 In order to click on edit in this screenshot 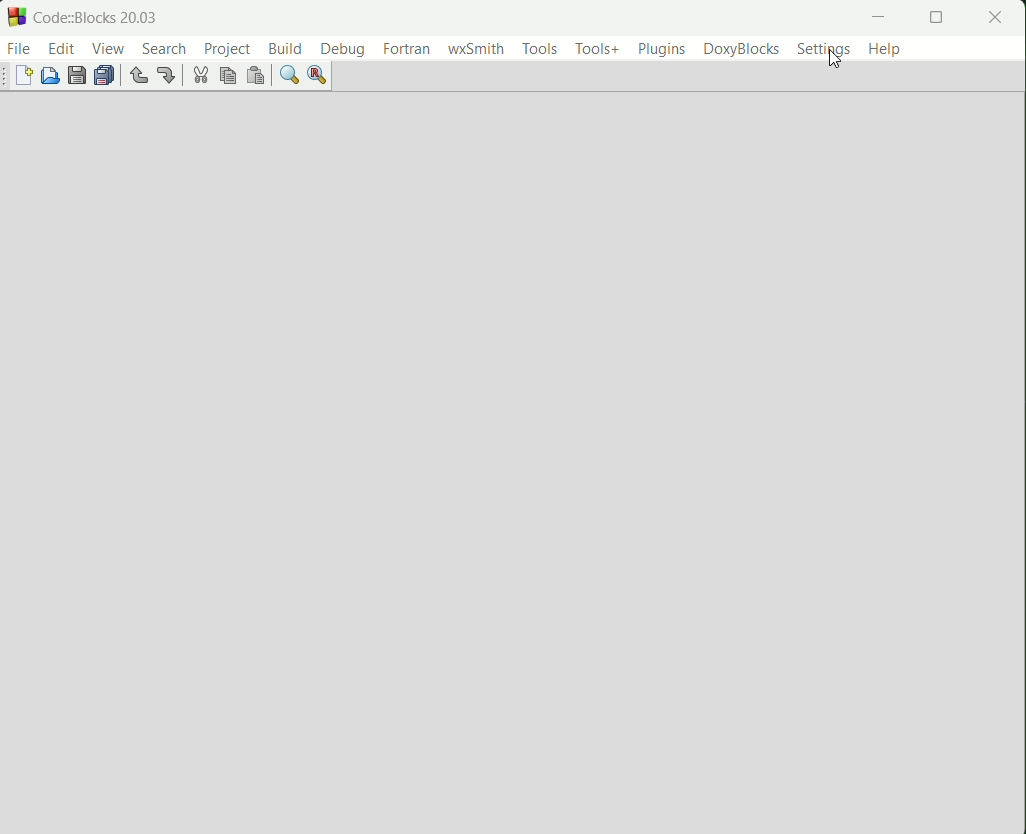, I will do `click(60, 47)`.